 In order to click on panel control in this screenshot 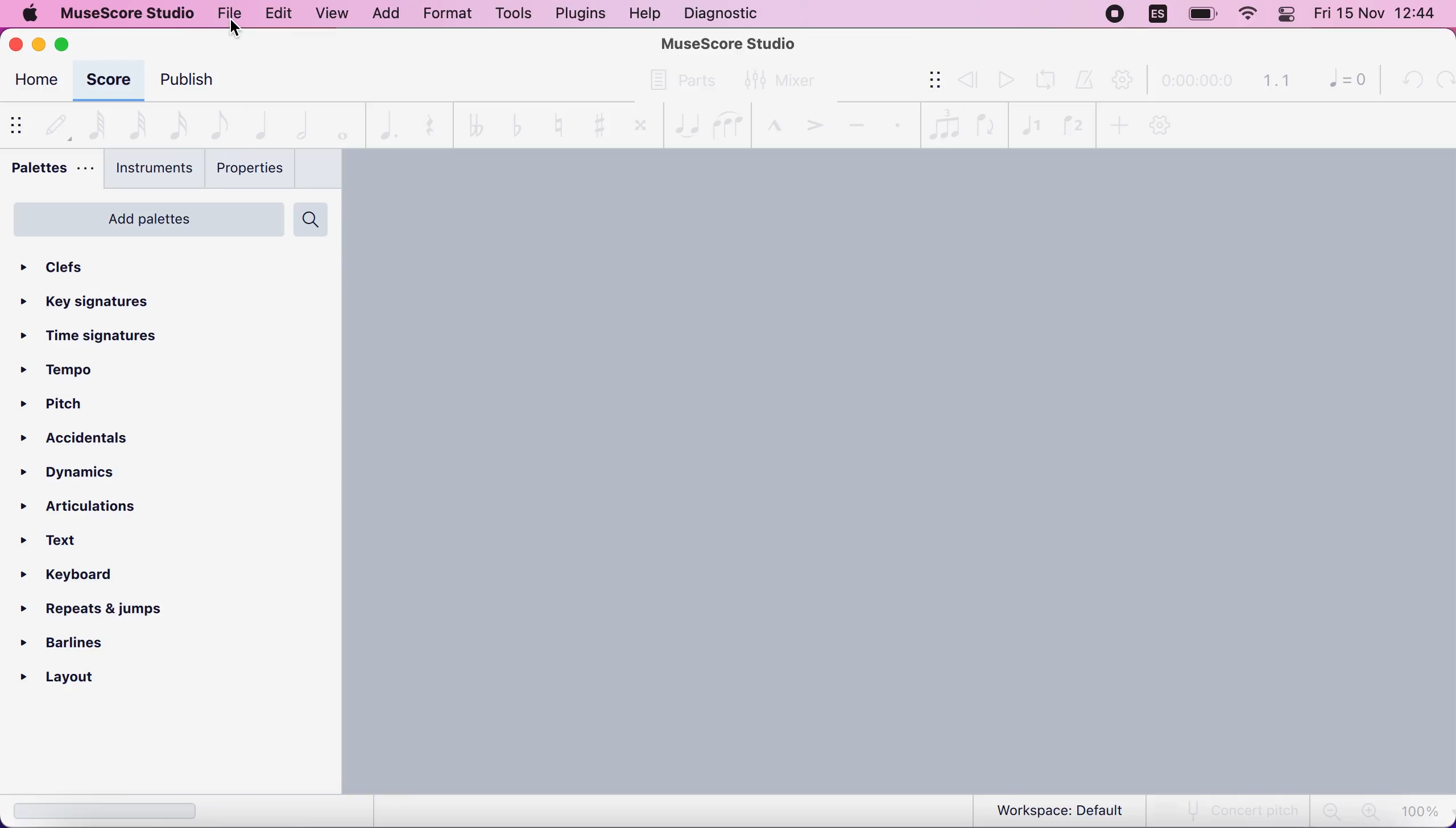, I will do `click(1289, 15)`.